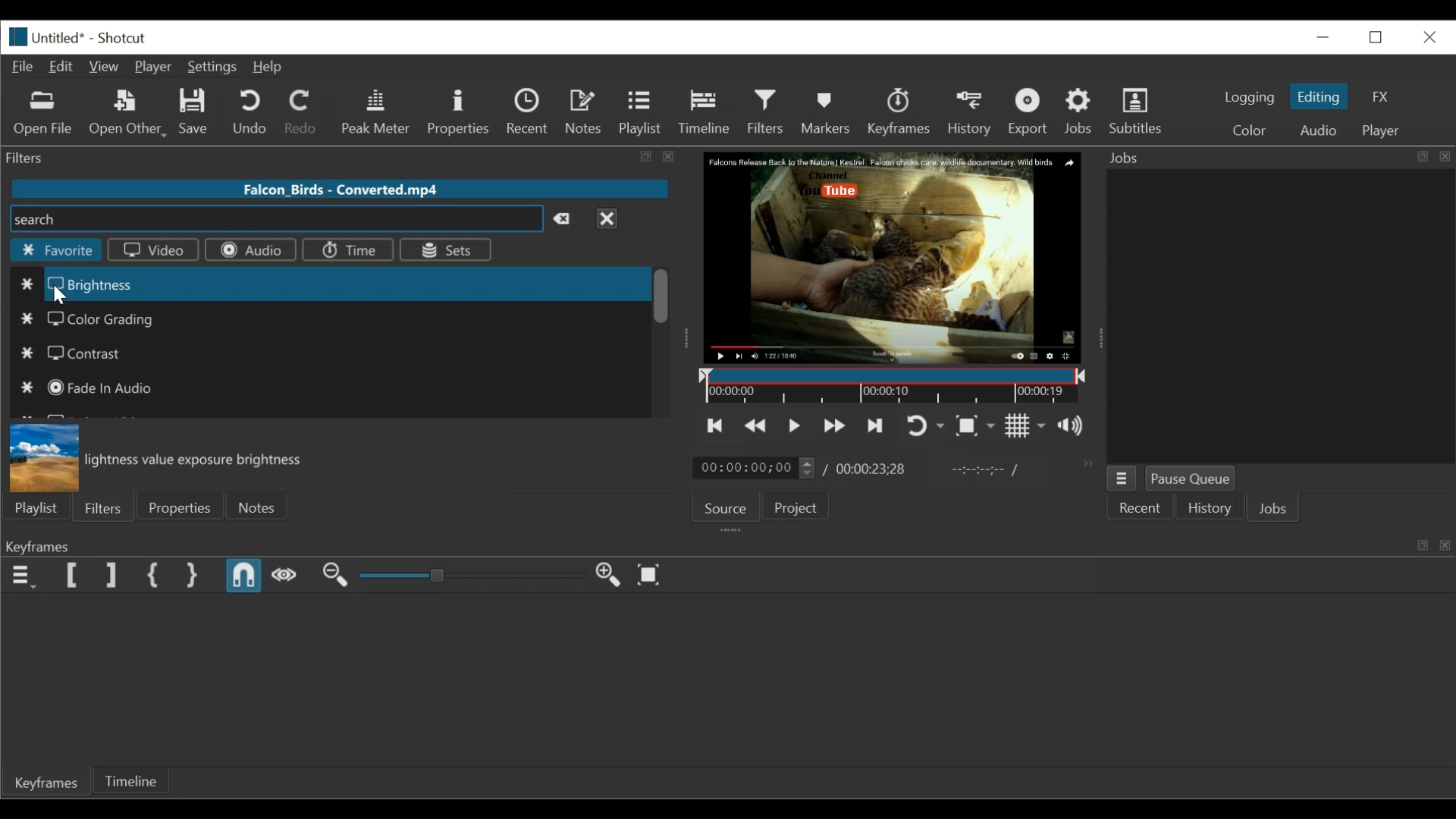 The height and width of the screenshot is (819, 1456). What do you see at coordinates (757, 468) in the screenshot?
I see `Current duration` at bounding box center [757, 468].